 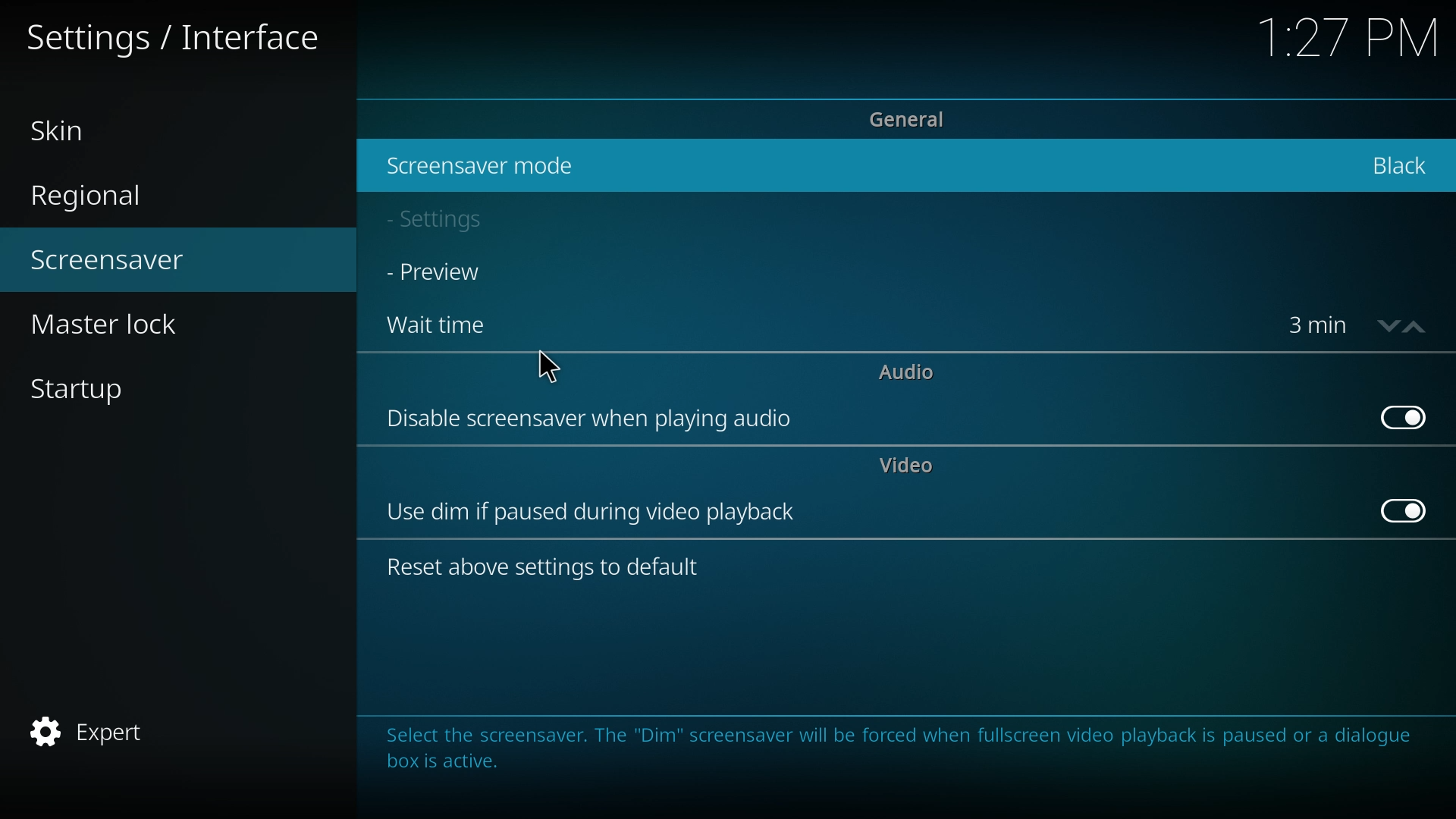 What do you see at coordinates (915, 119) in the screenshot?
I see `general` at bounding box center [915, 119].